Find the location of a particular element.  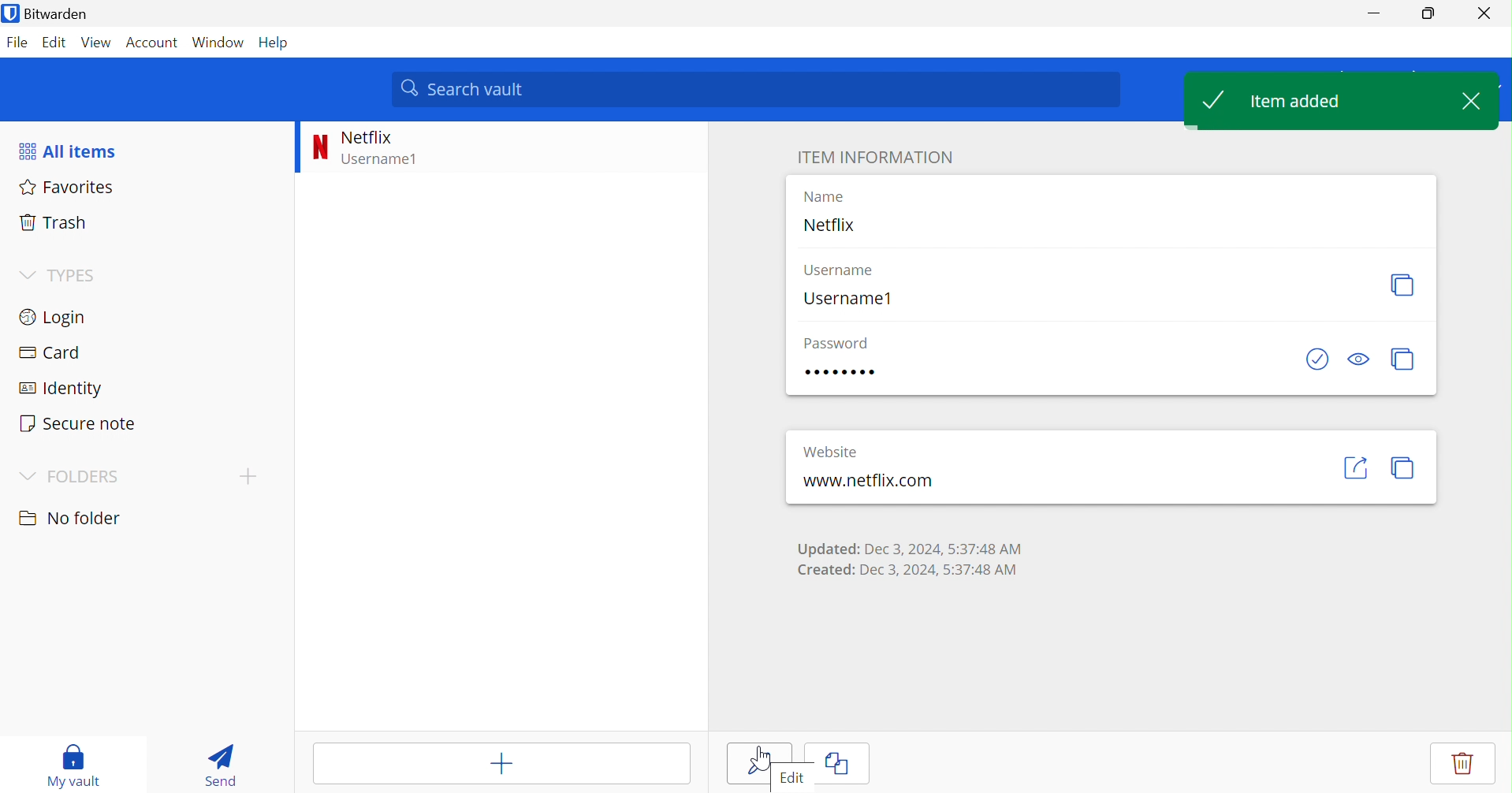

Close is located at coordinates (1484, 13).